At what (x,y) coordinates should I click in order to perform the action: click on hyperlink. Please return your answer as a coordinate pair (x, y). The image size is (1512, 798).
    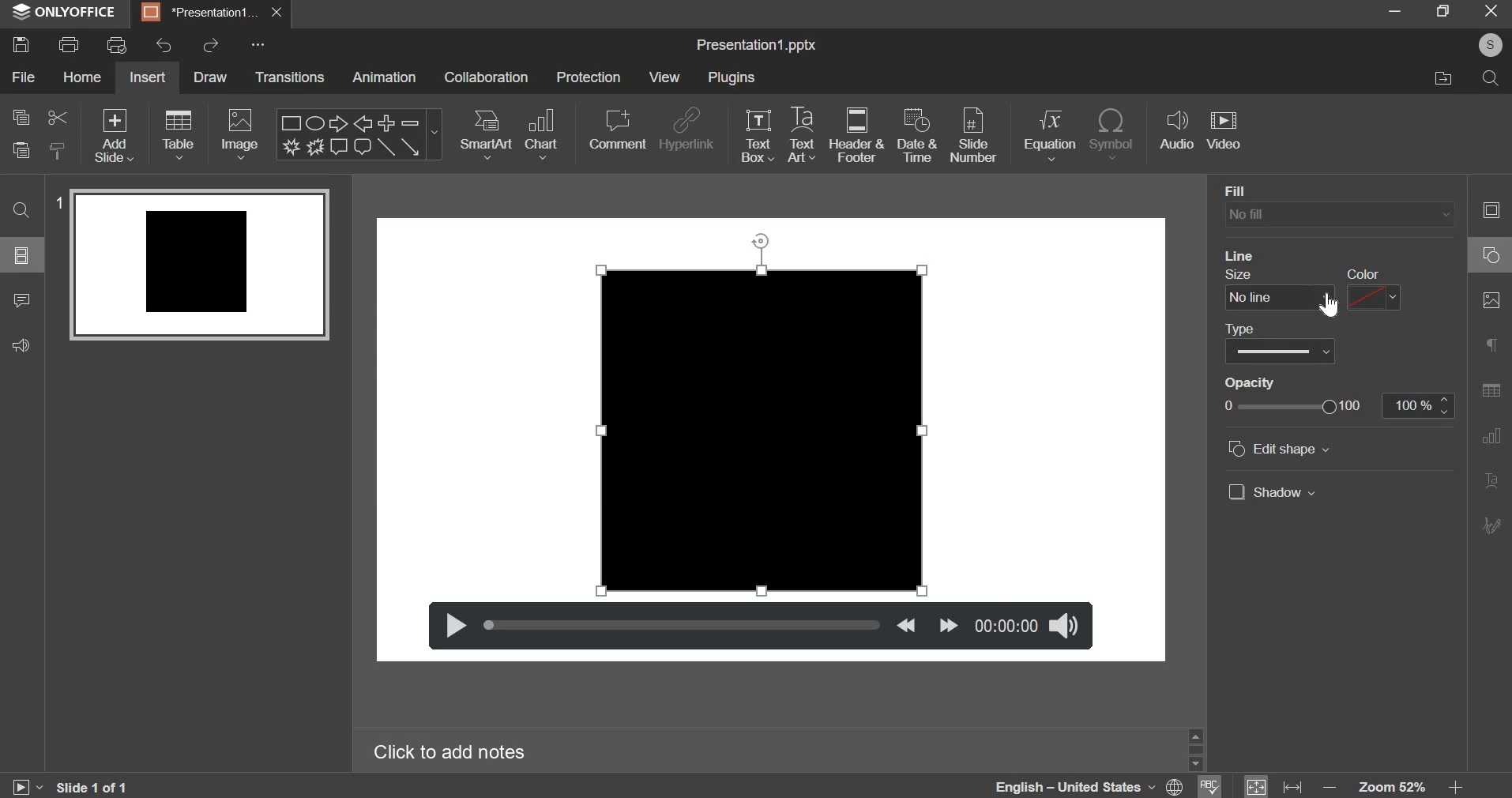
    Looking at the image, I should click on (685, 130).